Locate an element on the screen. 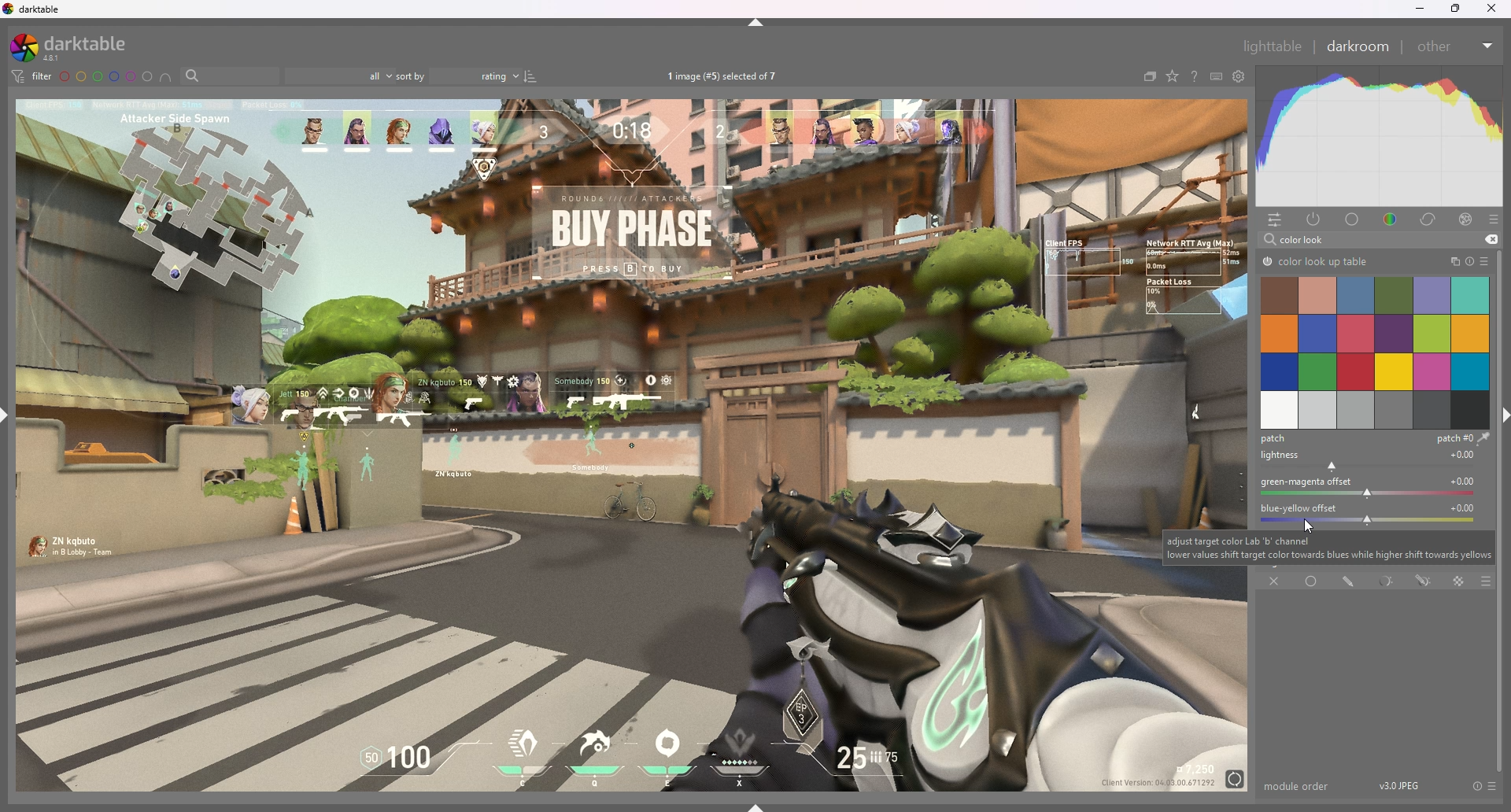 The image size is (1511, 812). presets is located at coordinates (1487, 260).